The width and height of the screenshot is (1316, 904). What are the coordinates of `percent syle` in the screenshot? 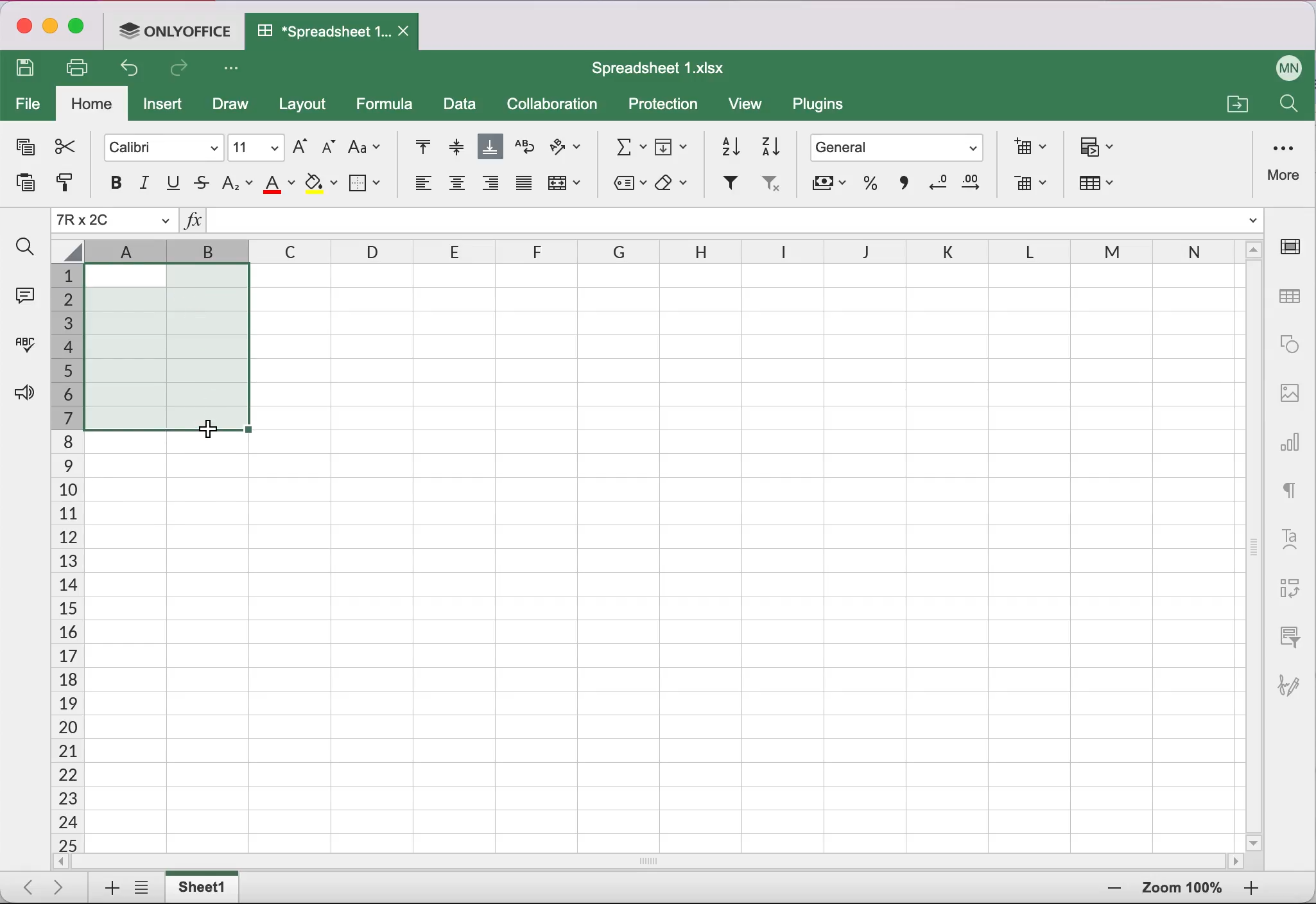 It's located at (868, 186).